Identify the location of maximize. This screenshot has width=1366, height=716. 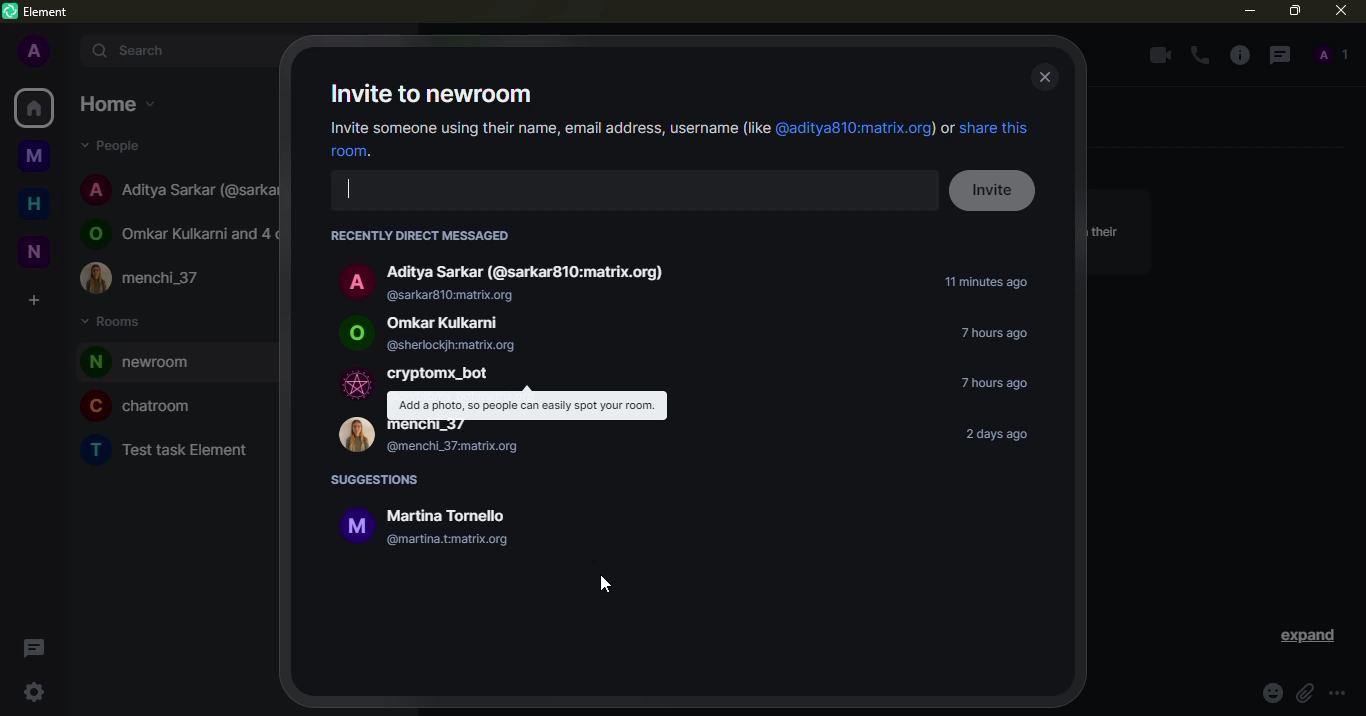
(1291, 13).